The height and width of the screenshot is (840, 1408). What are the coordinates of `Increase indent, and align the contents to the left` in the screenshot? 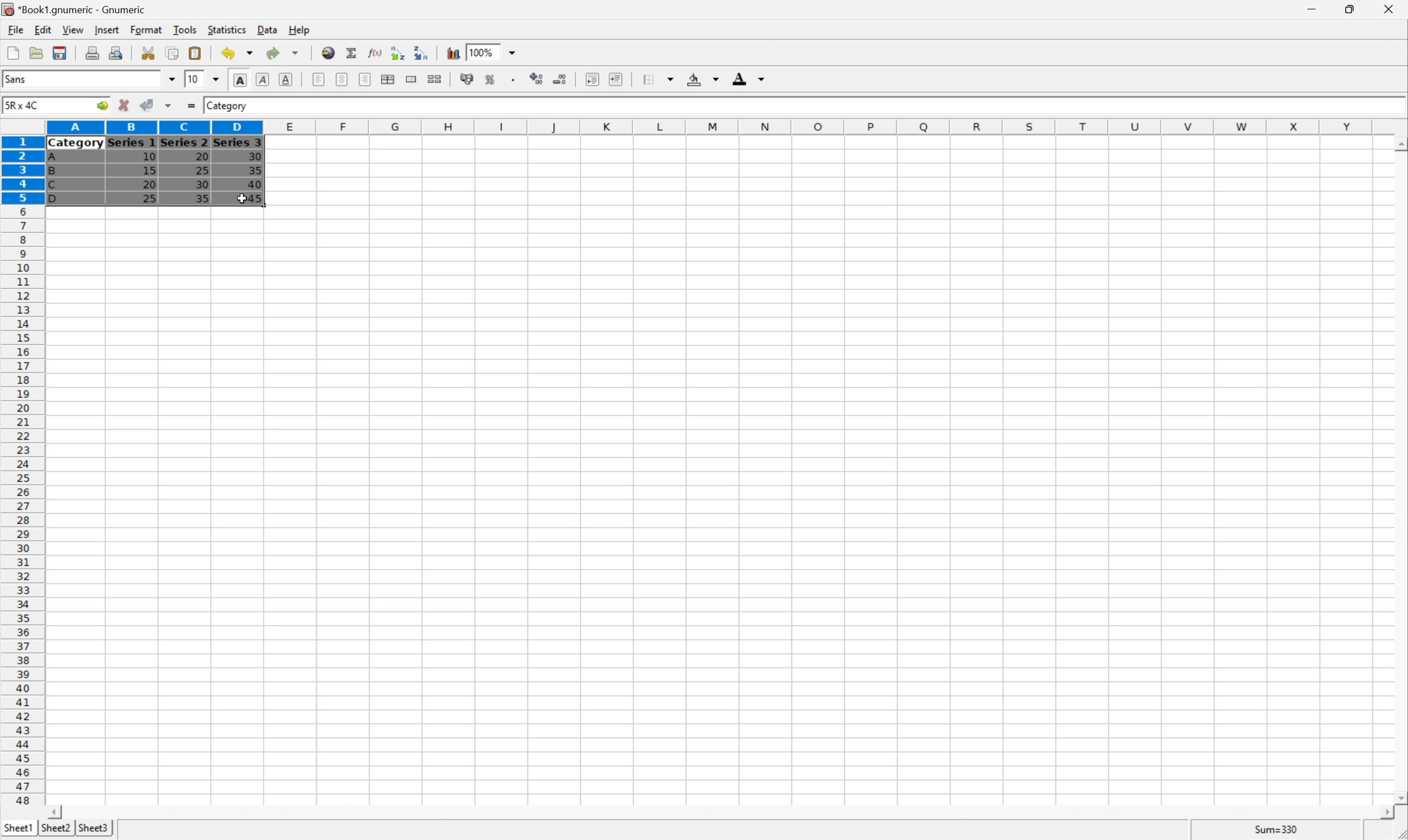 It's located at (615, 80).